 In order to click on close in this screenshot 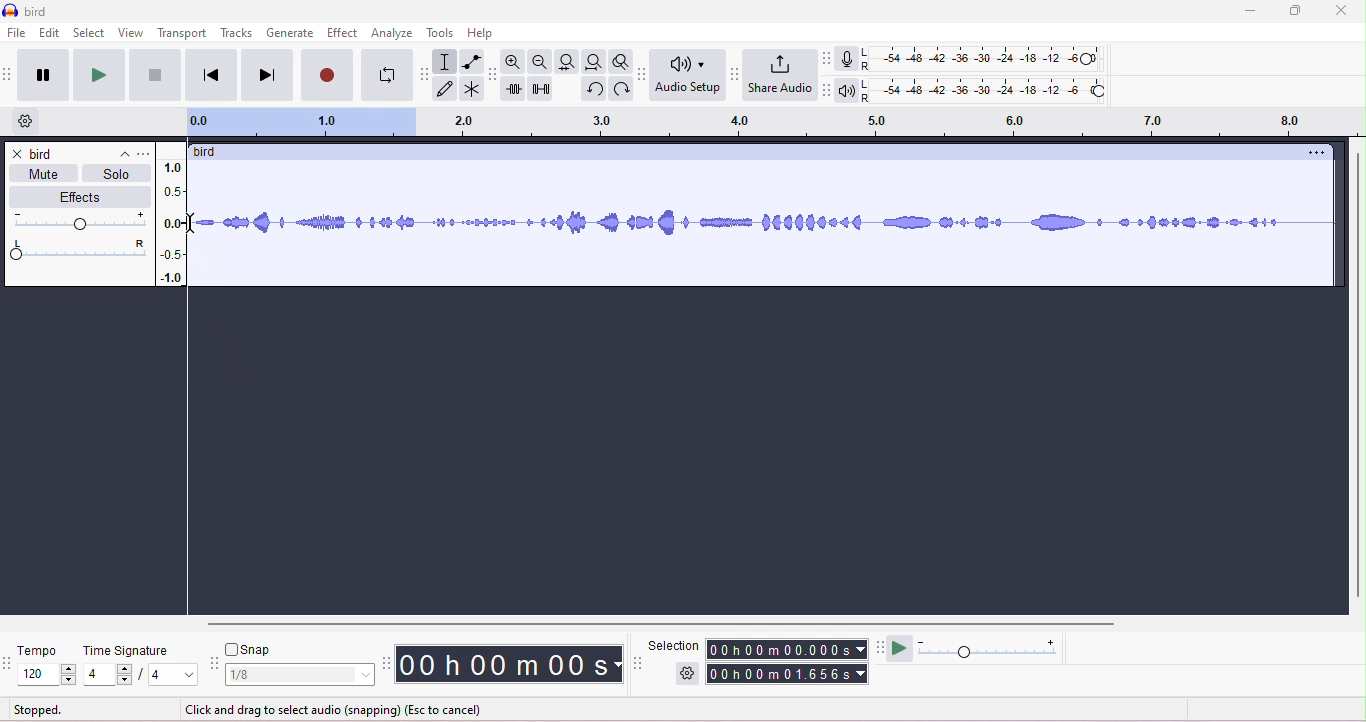, I will do `click(17, 154)`.